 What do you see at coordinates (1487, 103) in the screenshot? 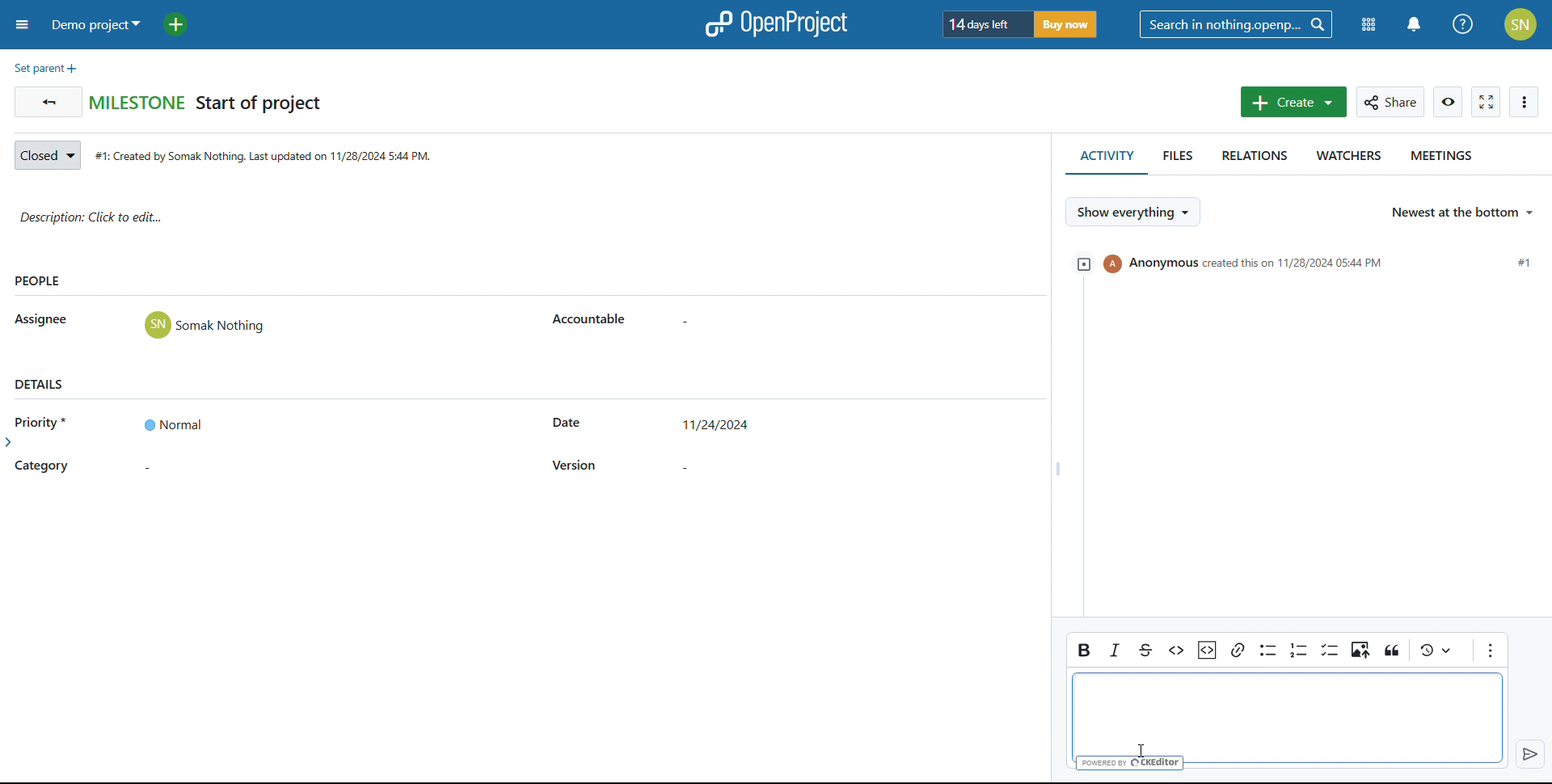
I see `activate zen mode` at bounding box center [1487, 103].